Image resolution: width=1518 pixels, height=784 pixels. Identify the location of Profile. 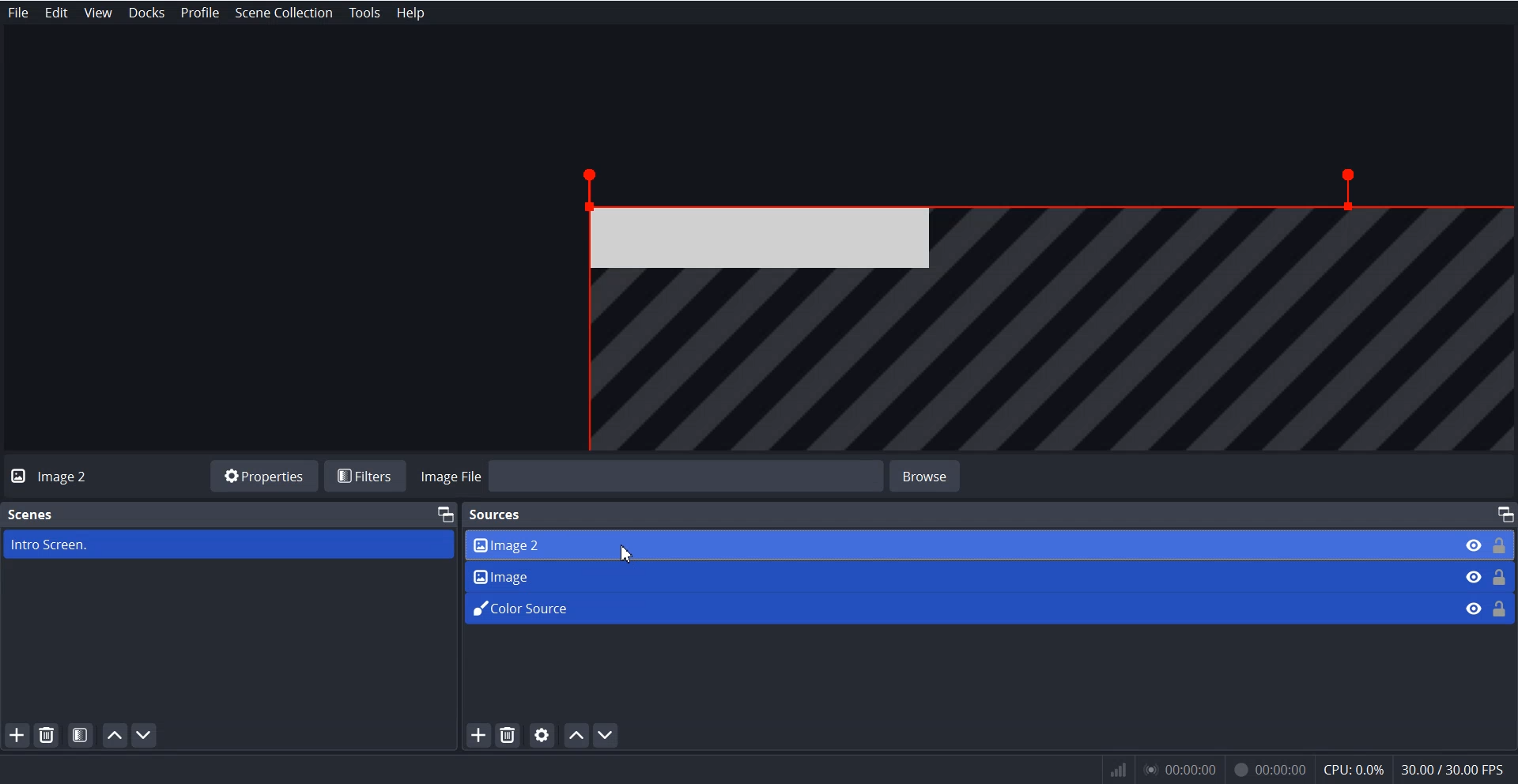
(200, 13).